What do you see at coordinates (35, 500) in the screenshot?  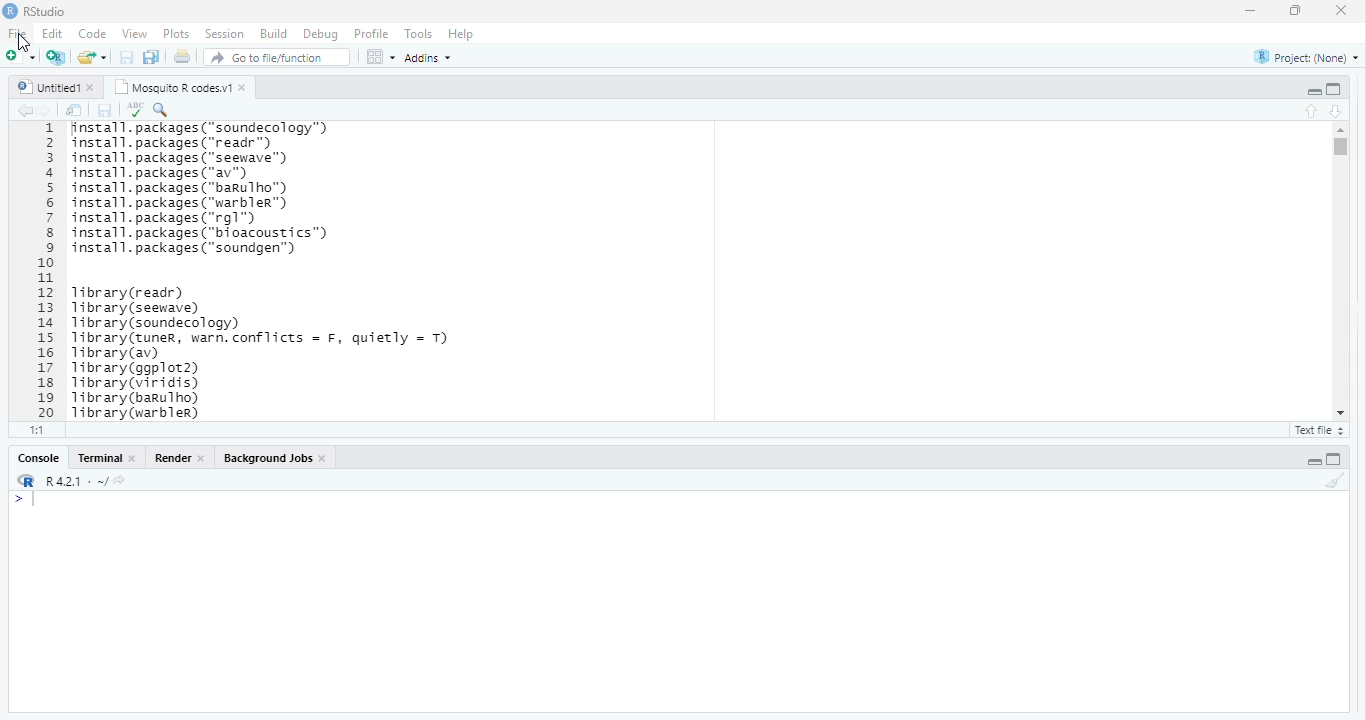 I see `typing indicator` at bounding box center [35, 500].